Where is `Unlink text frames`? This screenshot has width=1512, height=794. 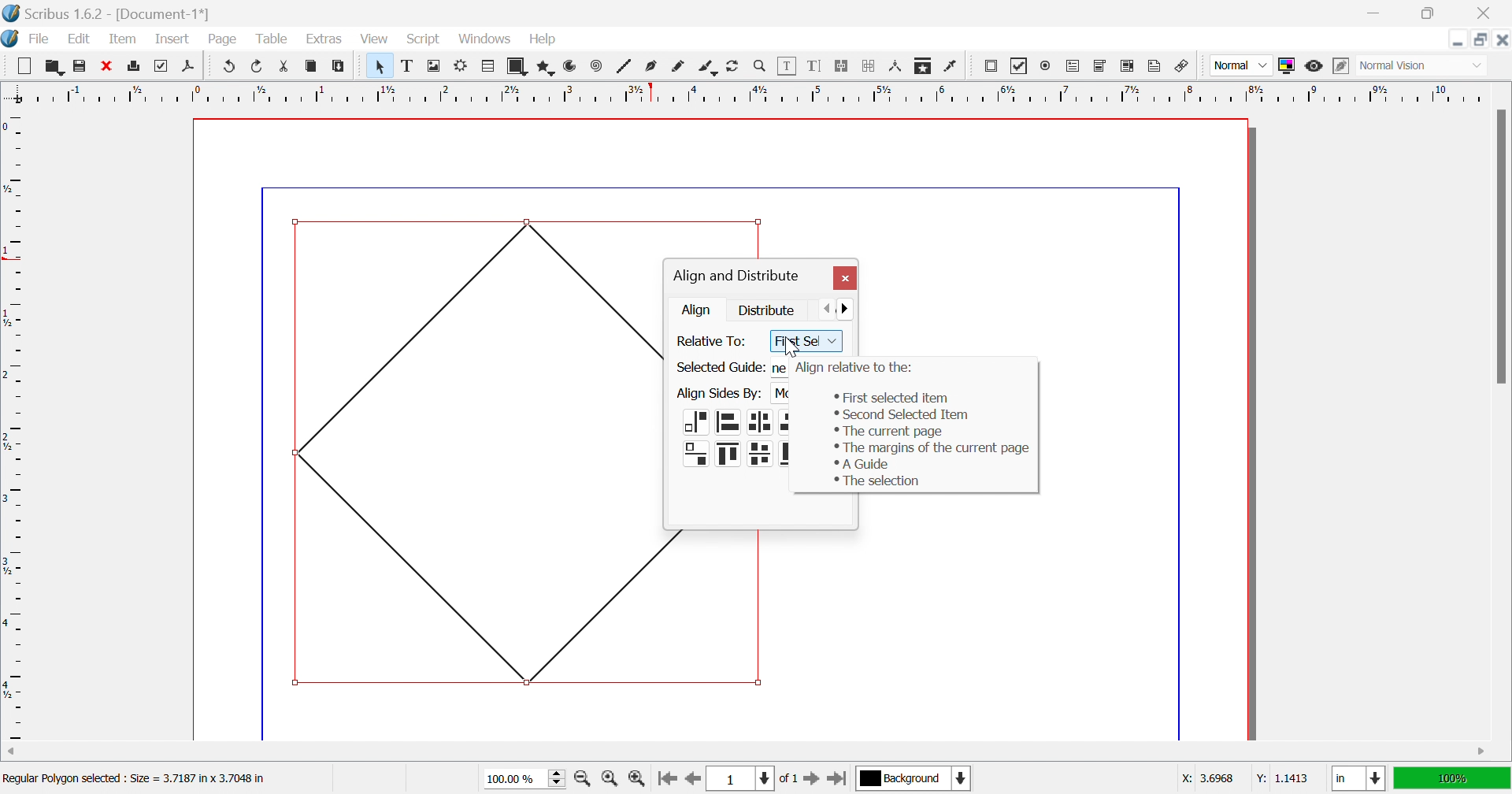 Unlink text frames is located at coordinates (869, 66).